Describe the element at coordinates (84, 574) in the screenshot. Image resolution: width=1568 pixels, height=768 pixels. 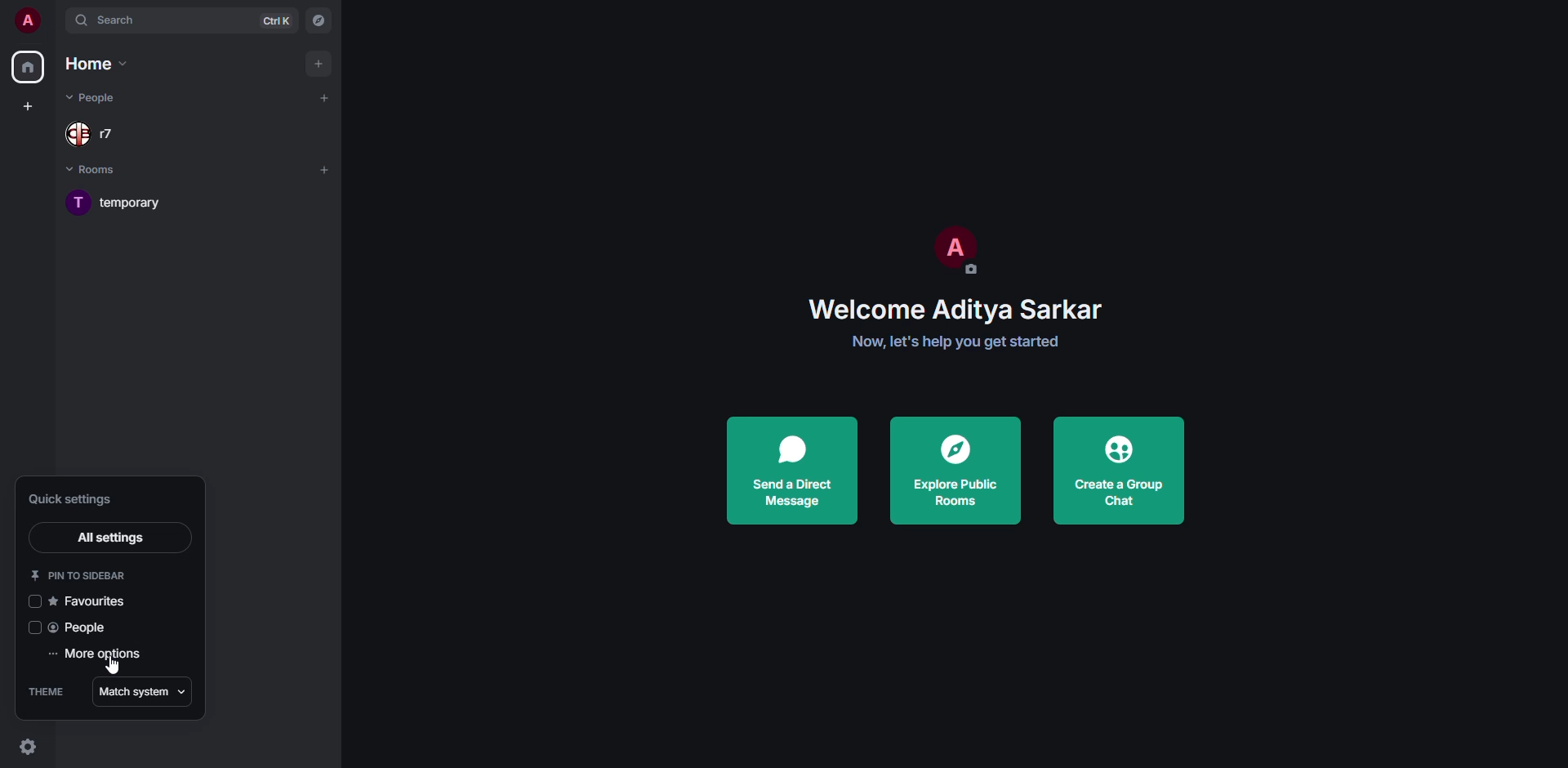
I see `pin to sidebar` at that location.